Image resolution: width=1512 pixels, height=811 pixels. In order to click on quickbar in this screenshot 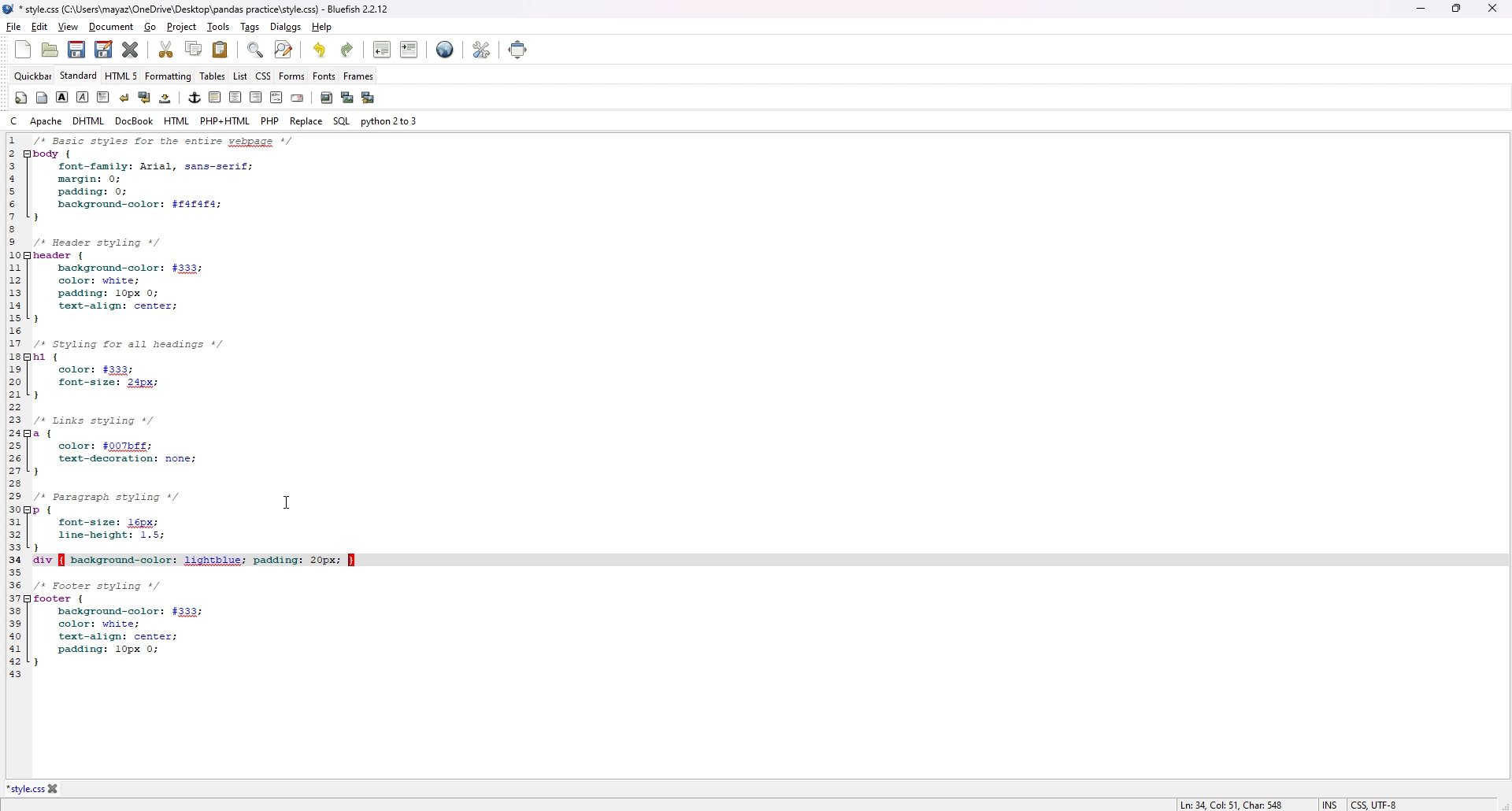, I will do `click(33, 76)`.